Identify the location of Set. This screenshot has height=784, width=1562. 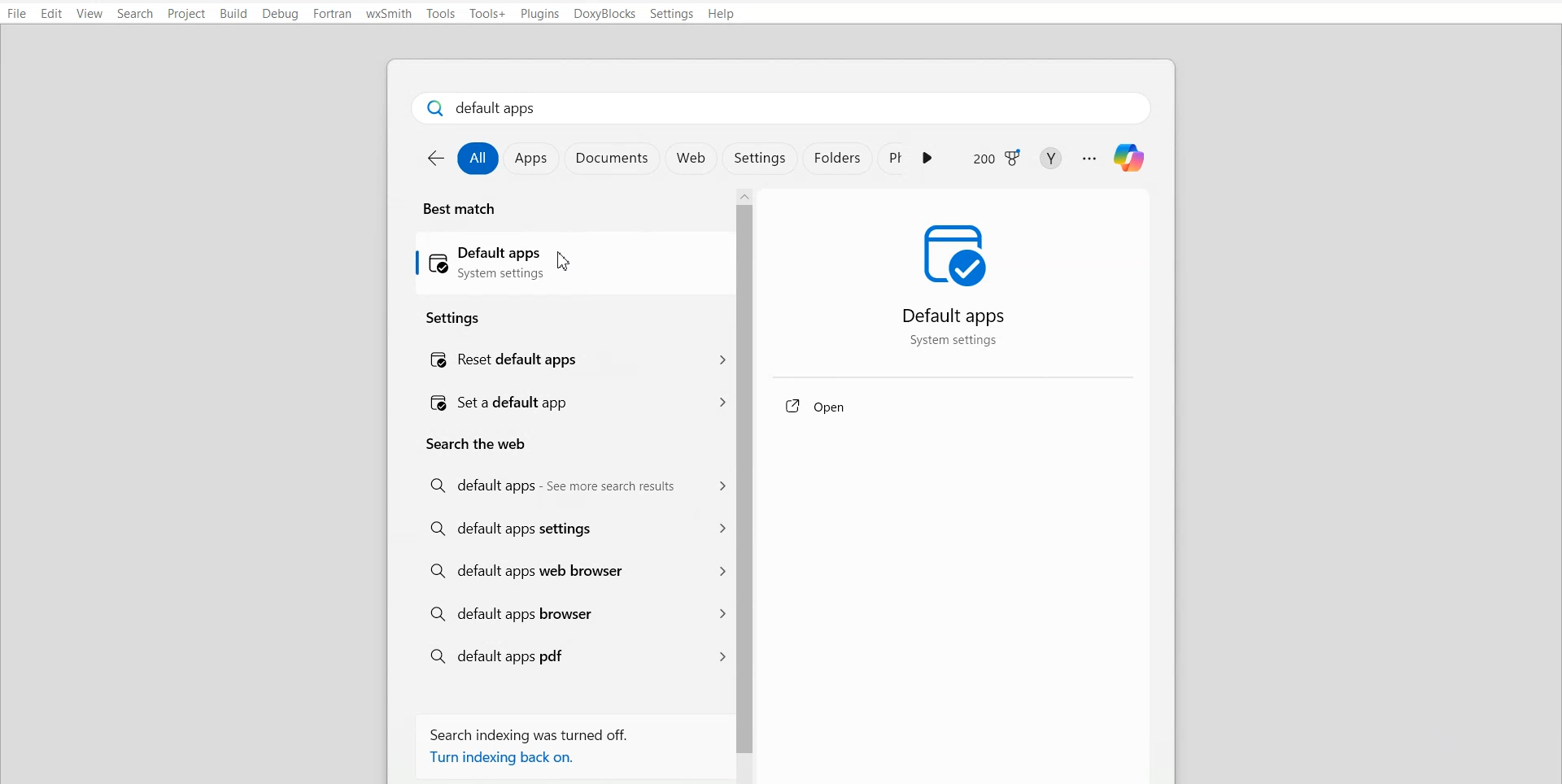
(496, 400).